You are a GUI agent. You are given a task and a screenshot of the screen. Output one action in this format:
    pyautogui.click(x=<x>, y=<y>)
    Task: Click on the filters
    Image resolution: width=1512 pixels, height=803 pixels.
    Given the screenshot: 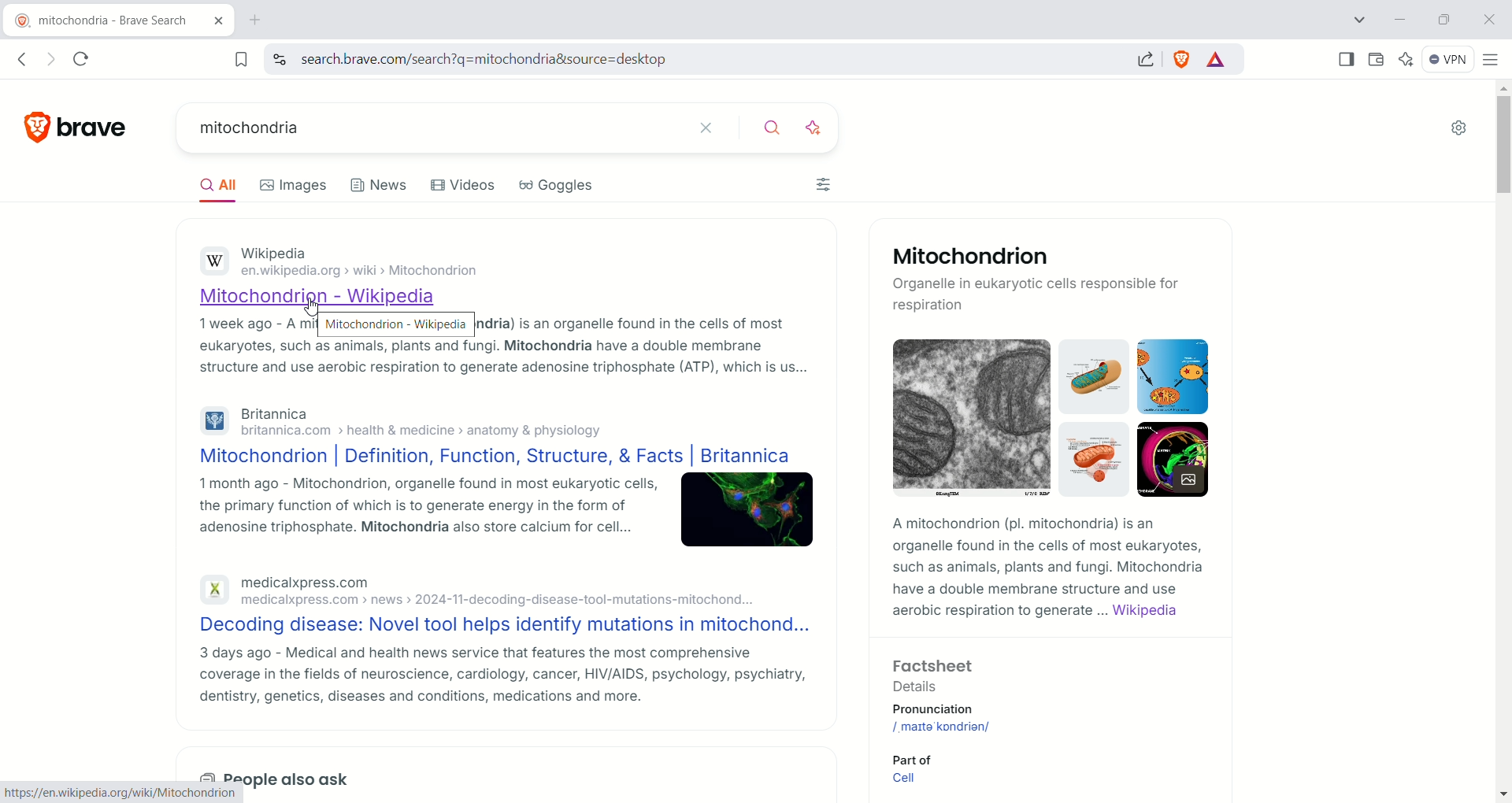 What is the action you would take?
    pyautogui.click(x=826, y=187)
    